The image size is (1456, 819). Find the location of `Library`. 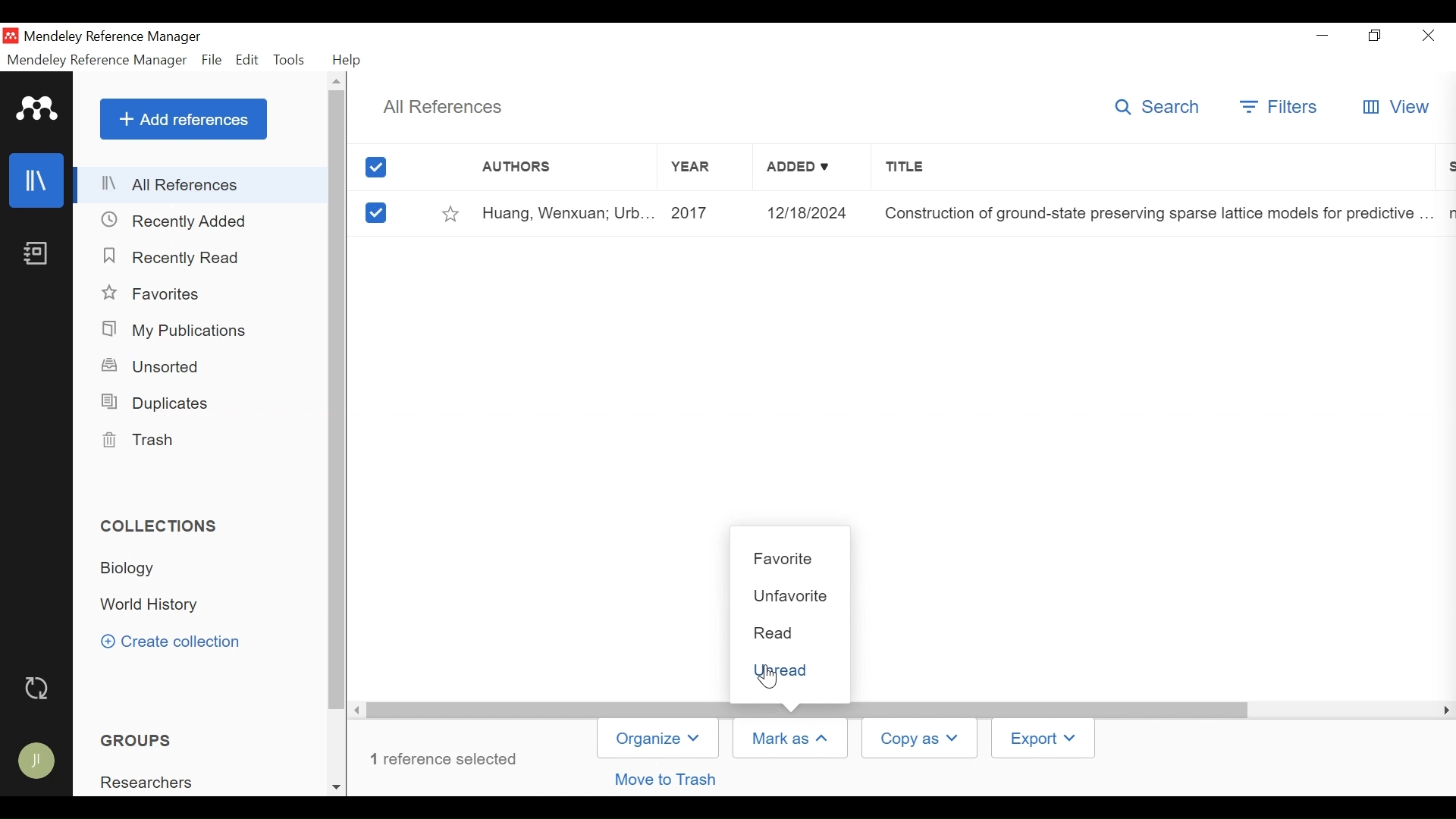

Library is located at coordinates (35, 181).